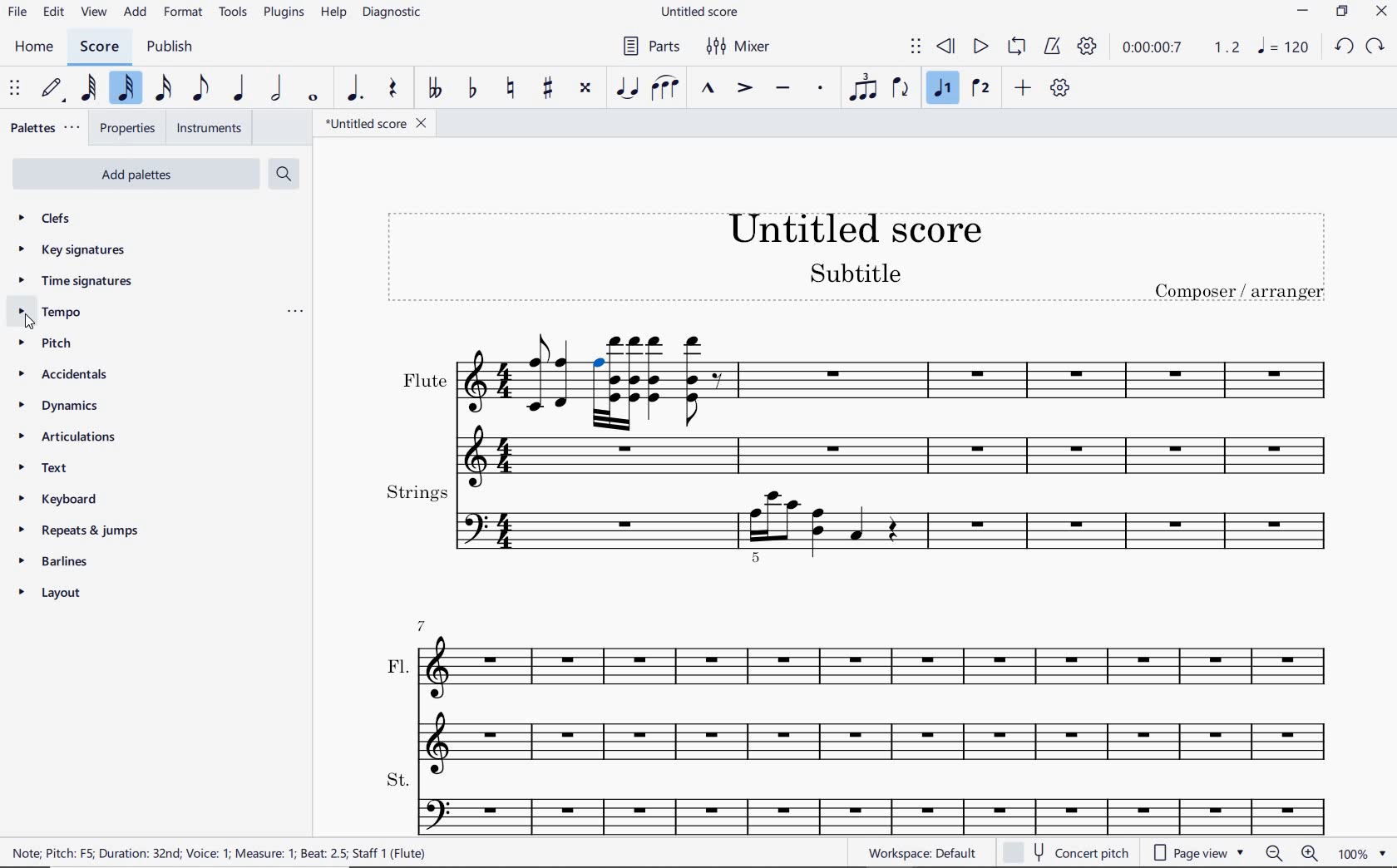 The height and width of the screenshot is (868, 1397). Describe the element at coordinates (979, 86) in the screenshot. I see `VOICE 2` at that location.